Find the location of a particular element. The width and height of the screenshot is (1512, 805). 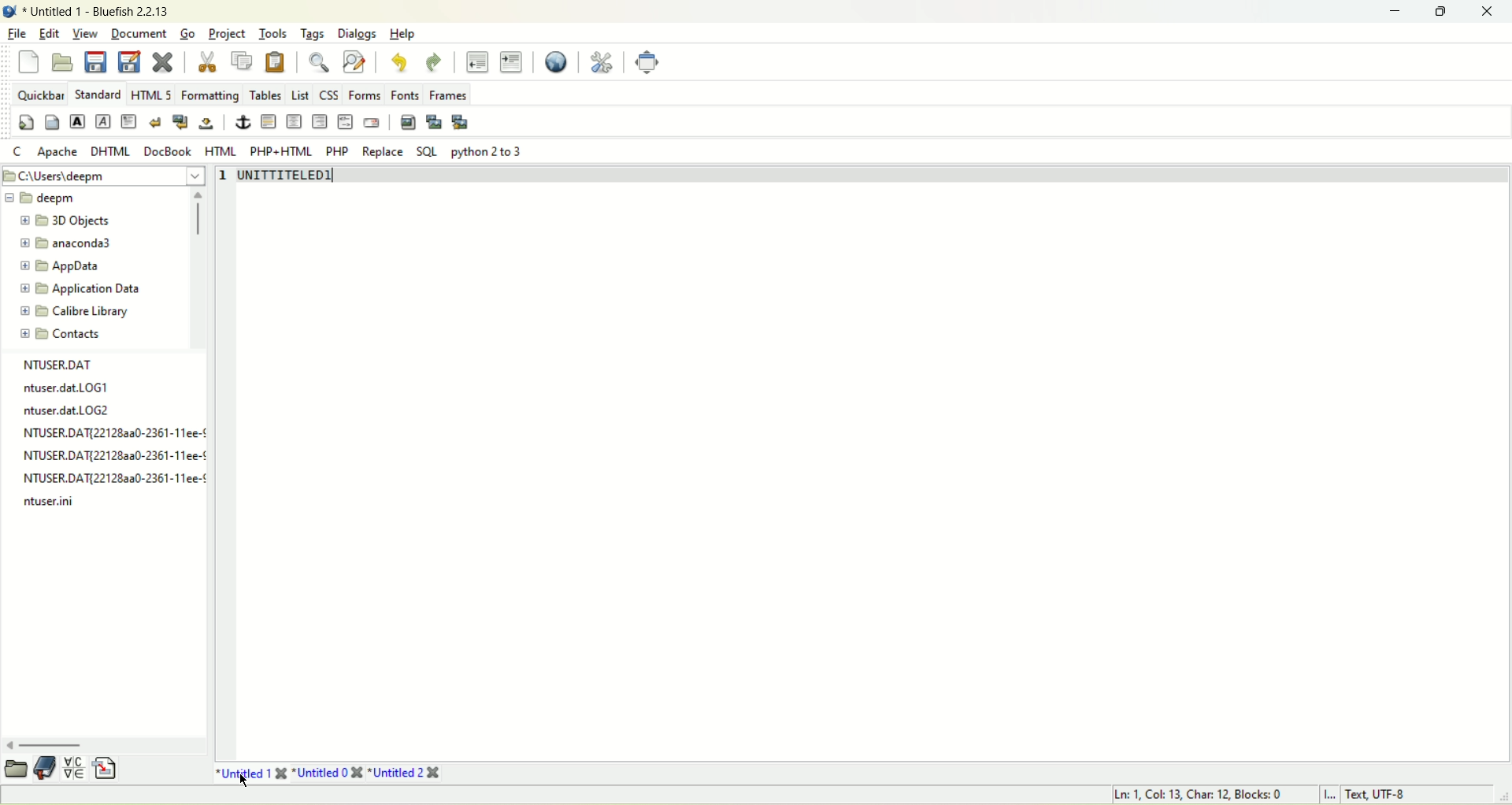

DocBook is located at coordinates (166, 150).